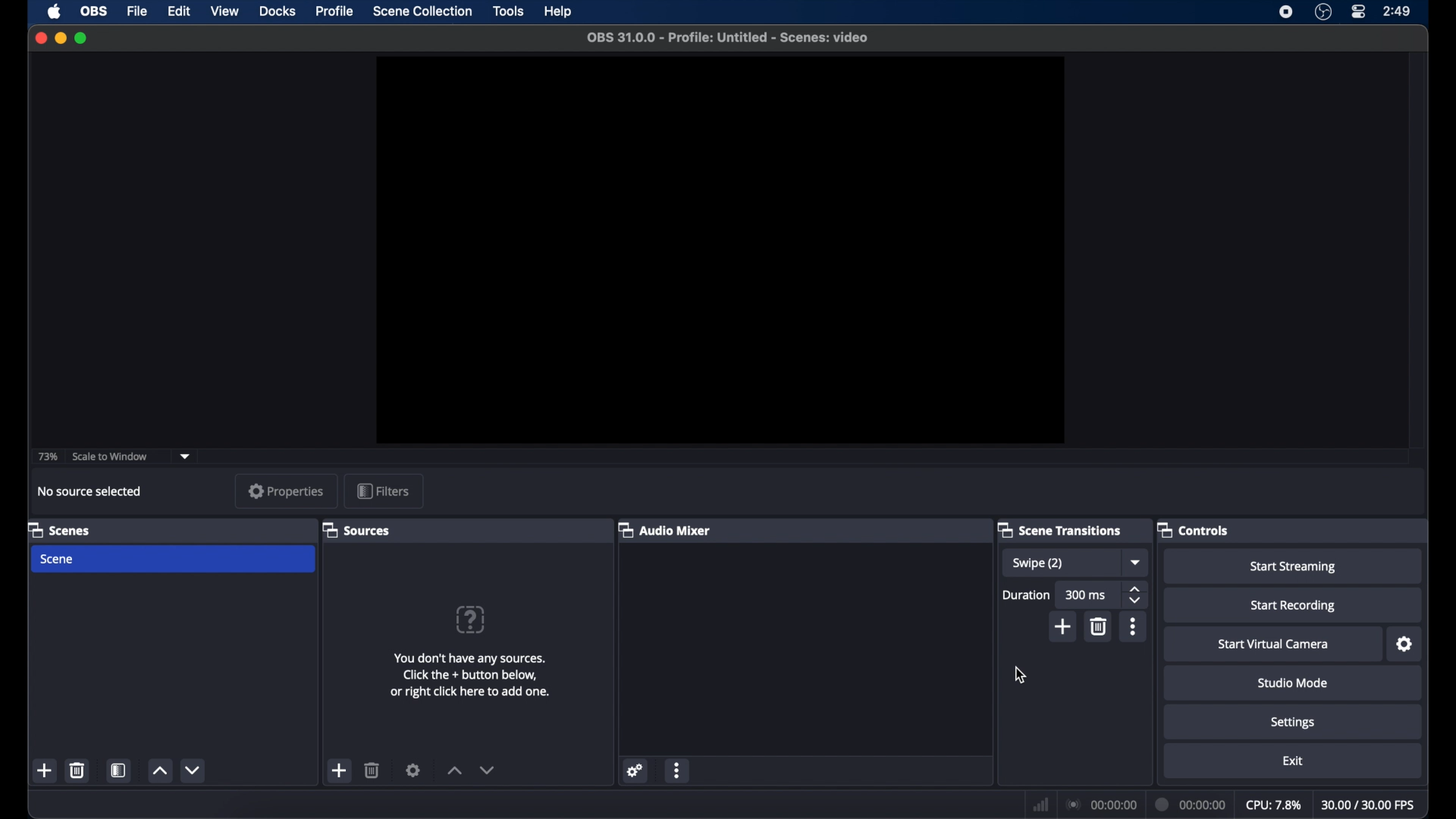 The width and height of the screenshot is (1456, 819). I want to click on delete, so click(372, 770).